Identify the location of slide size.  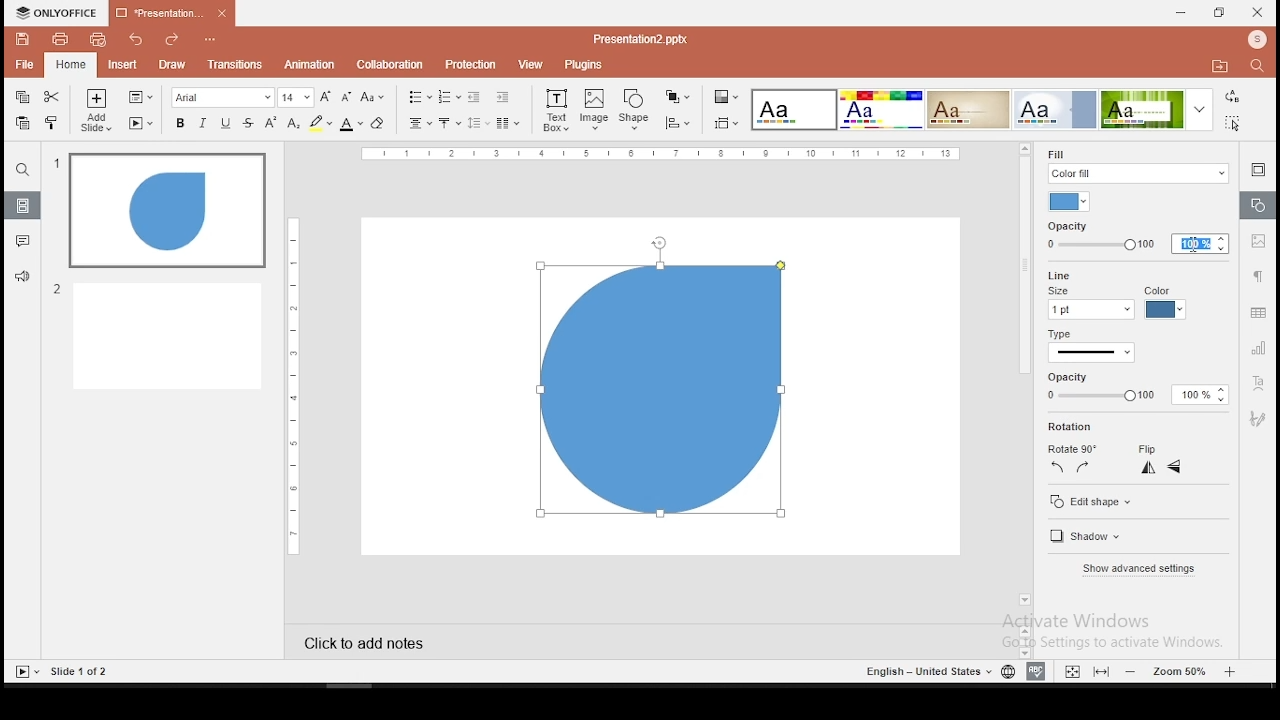
(724, 124).